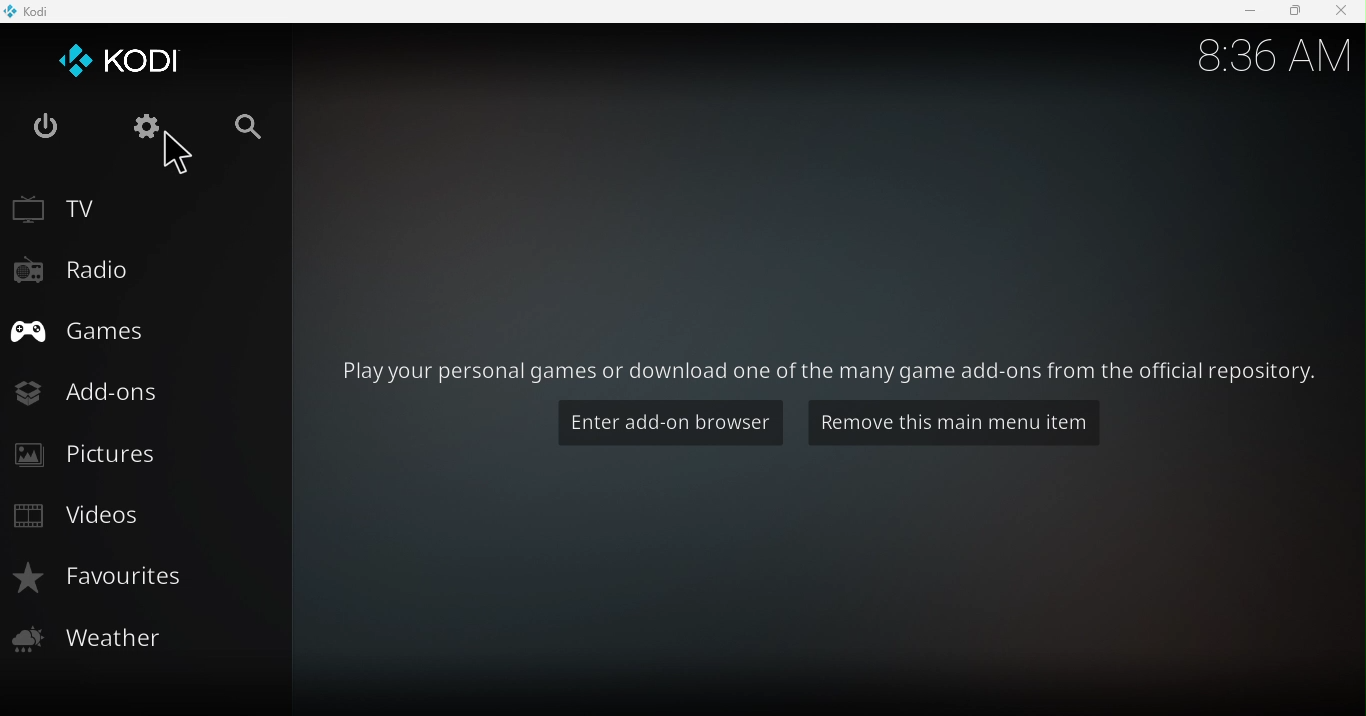 This screenshot has height=716, width=1366. What do you see at coordinates (1340, 12) in the screenshot?
I see `Close` at bounding box center [1340, 12].